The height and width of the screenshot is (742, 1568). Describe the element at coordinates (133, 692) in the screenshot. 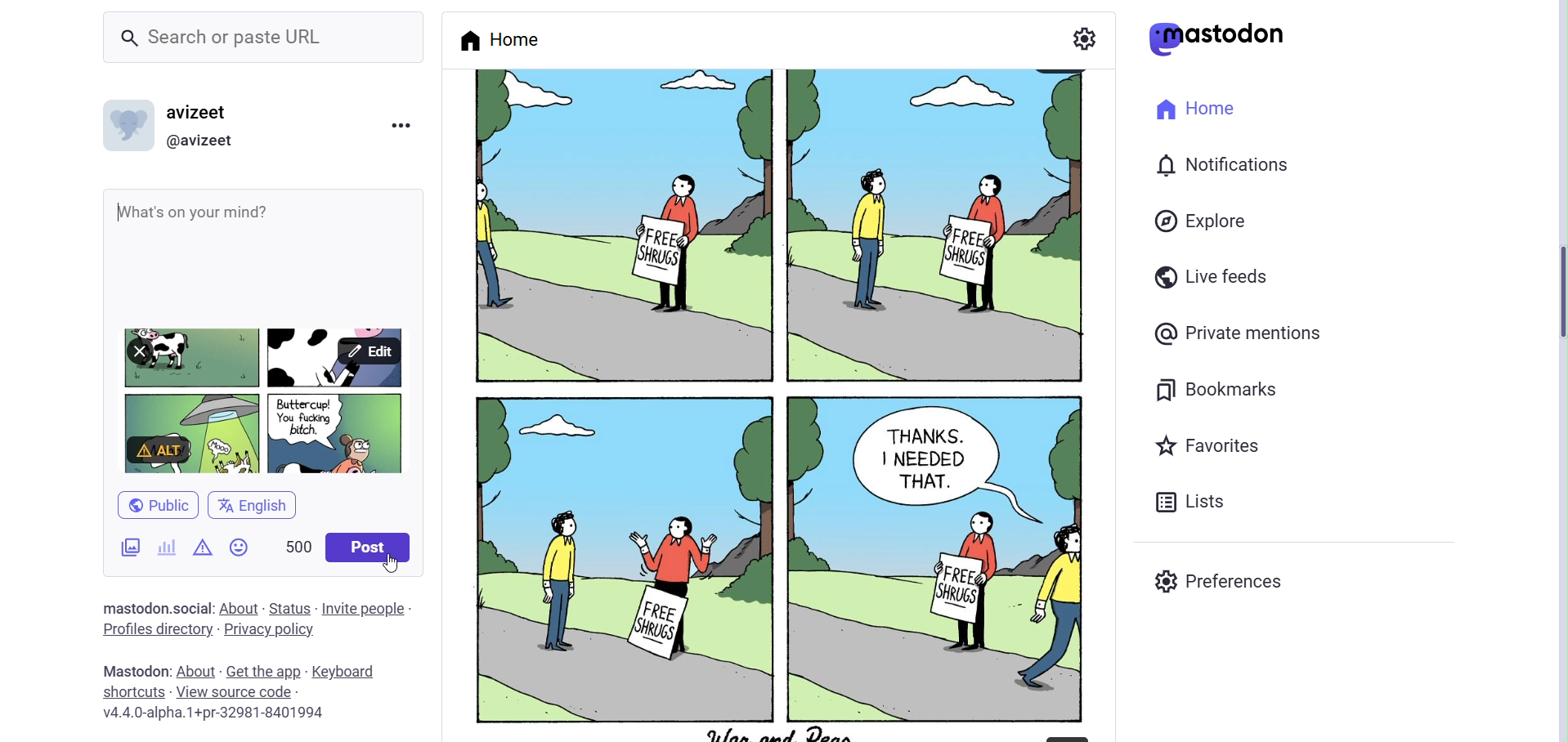

I see `Shortcuts` at that location.